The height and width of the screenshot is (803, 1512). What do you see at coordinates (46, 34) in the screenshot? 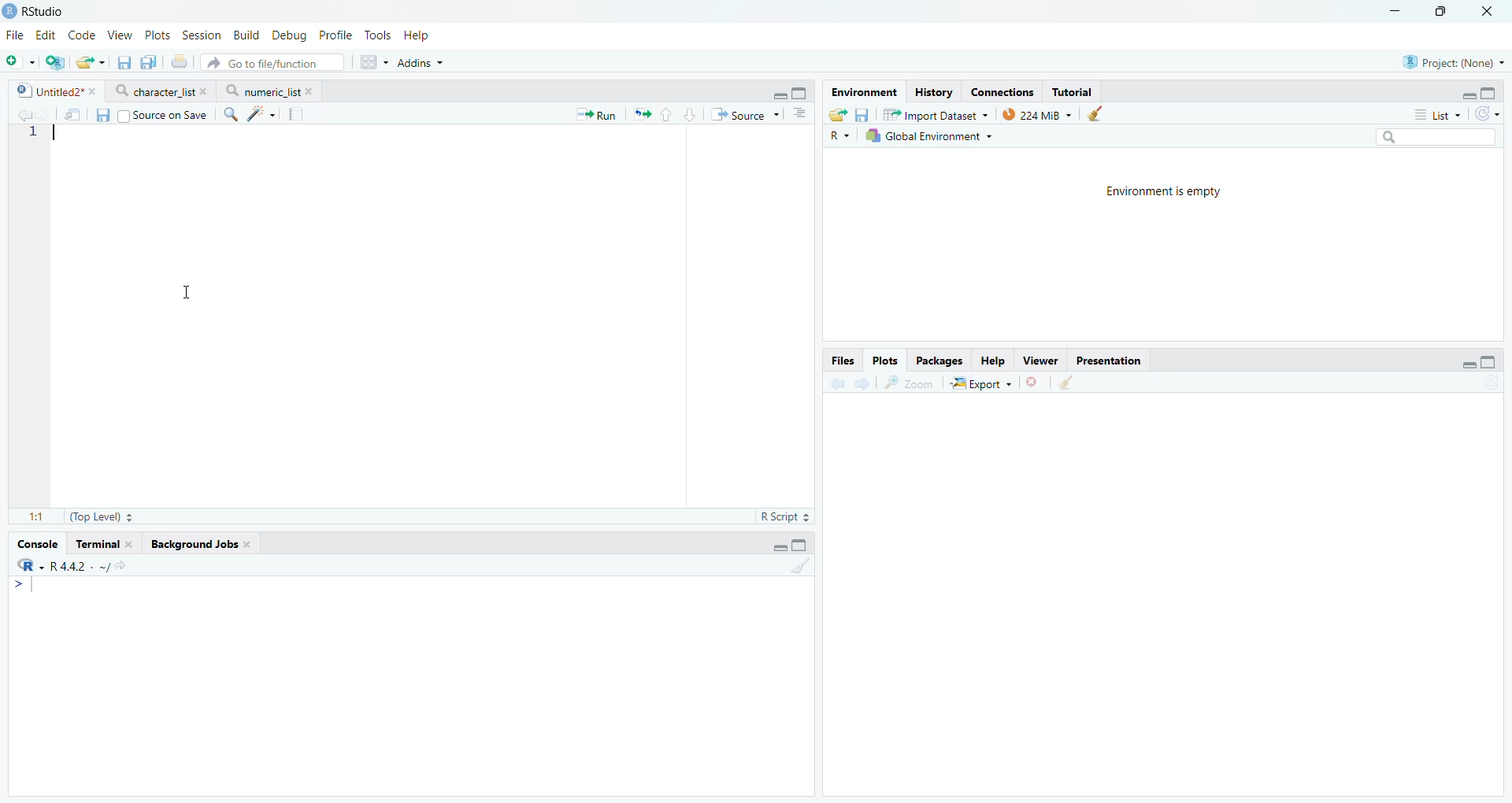
I see `Edit` at bounding box center [46, 34].